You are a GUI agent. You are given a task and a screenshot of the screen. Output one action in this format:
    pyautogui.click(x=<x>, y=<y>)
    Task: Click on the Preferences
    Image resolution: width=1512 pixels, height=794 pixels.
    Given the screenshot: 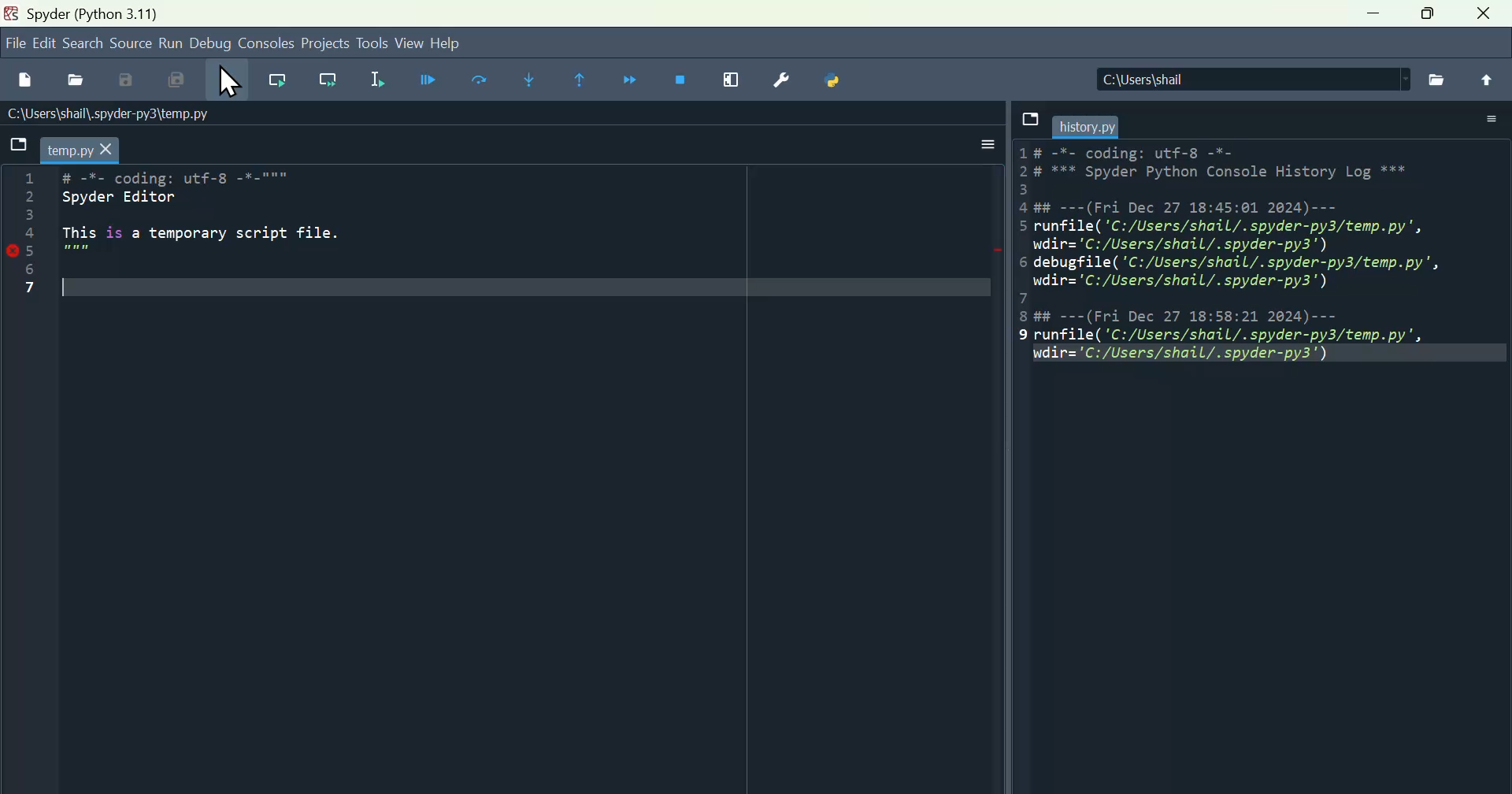 What is the action you would take?
    pyautogui.click(x=787, y=80)
    